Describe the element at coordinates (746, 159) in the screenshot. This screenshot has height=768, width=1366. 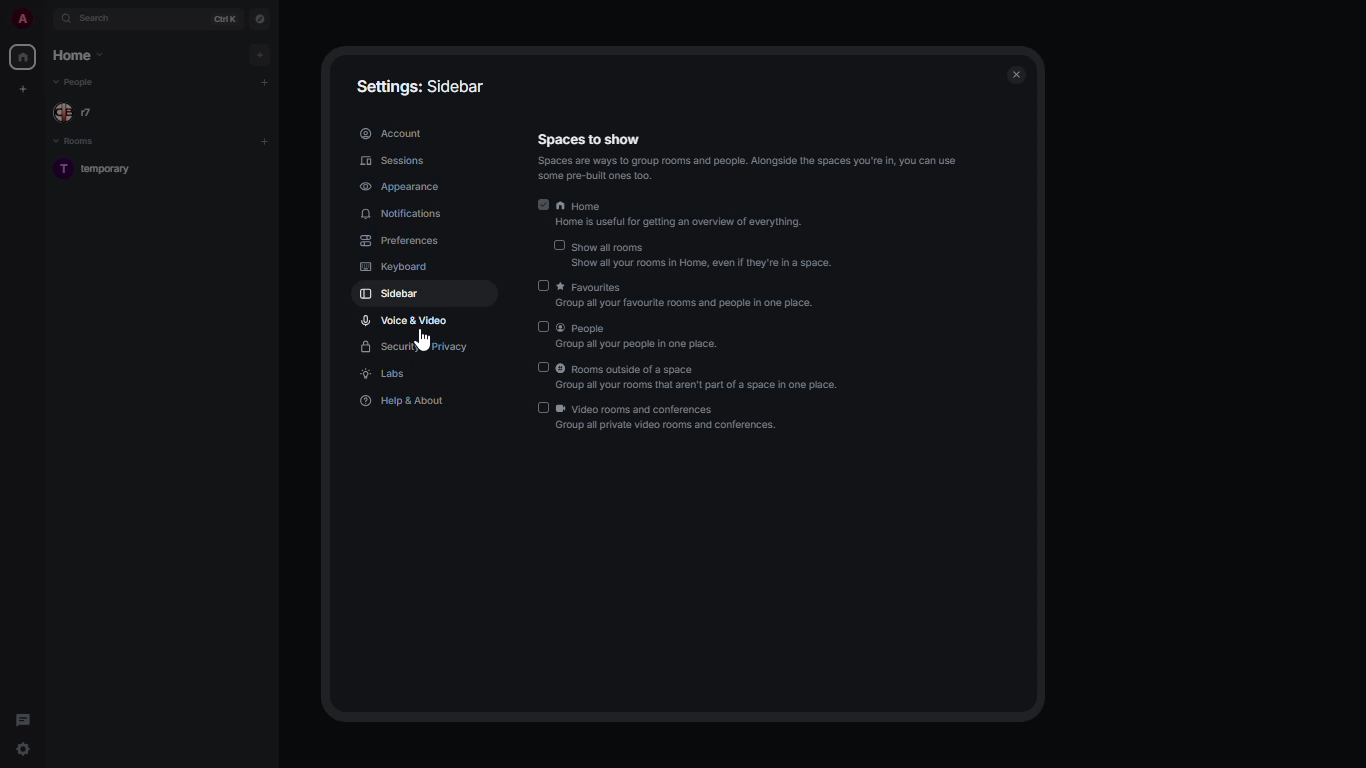
I see `spaces to show` at that location.